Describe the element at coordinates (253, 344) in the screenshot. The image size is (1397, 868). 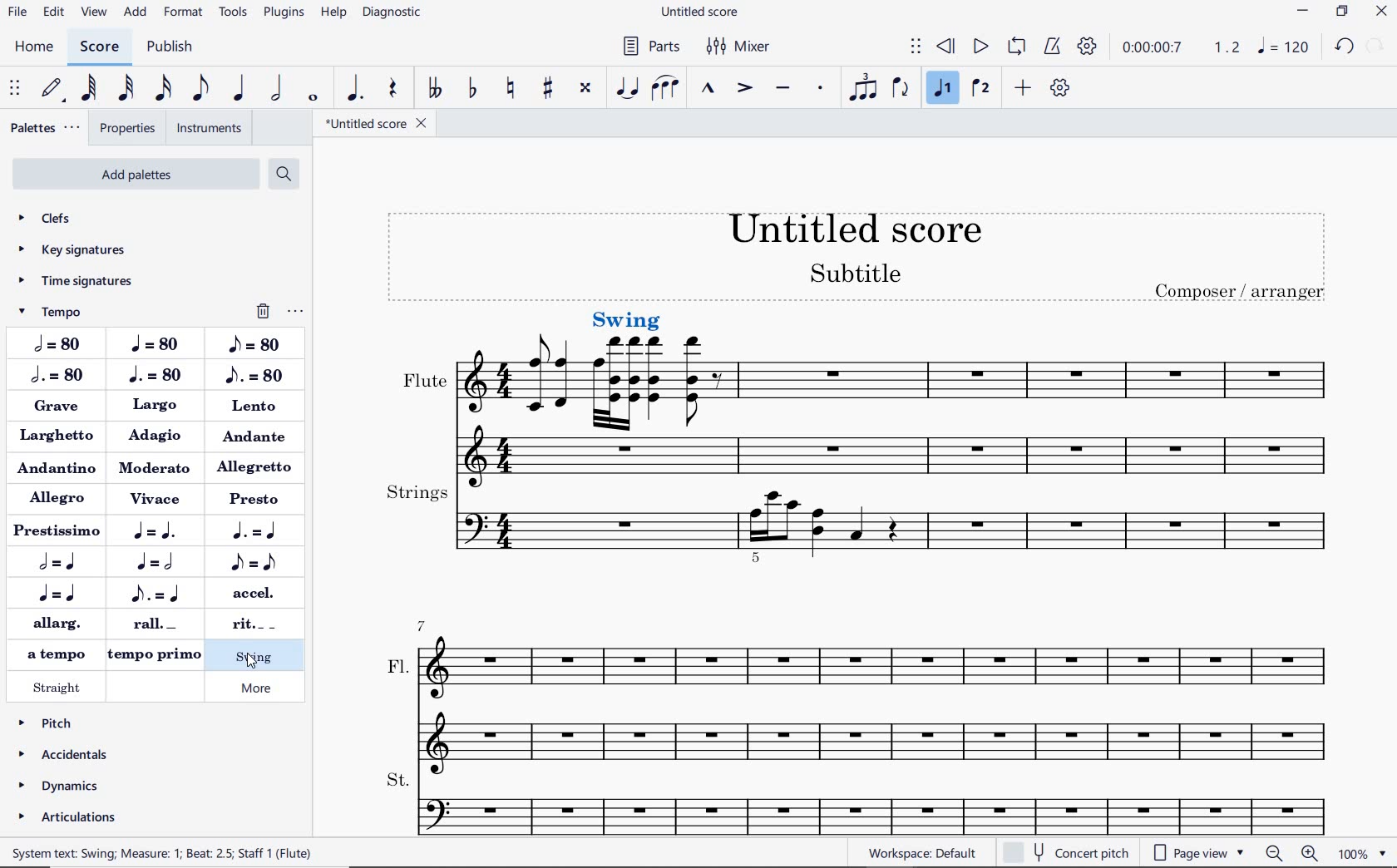
I see `EIGHTH NOTE` at that location.